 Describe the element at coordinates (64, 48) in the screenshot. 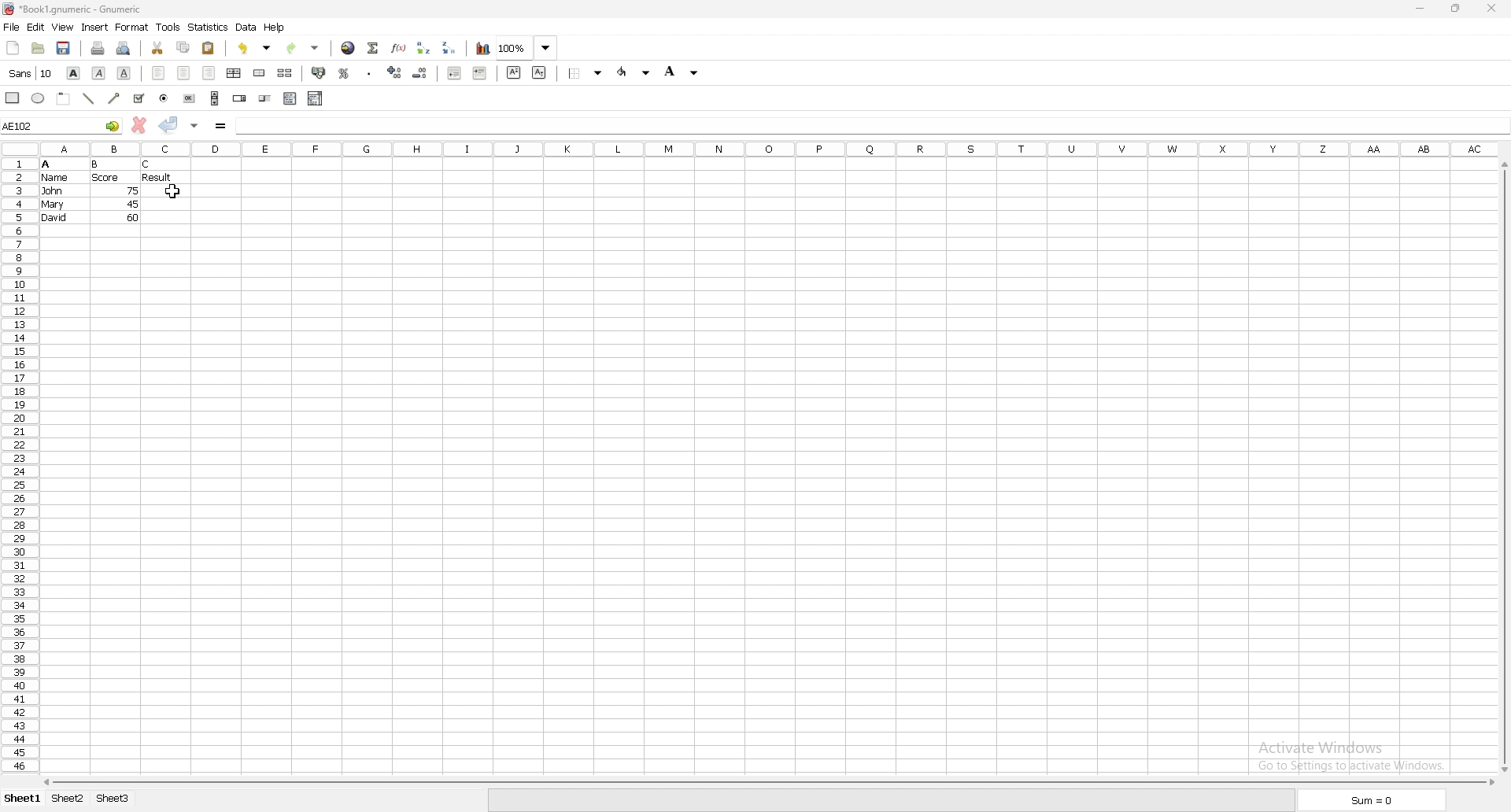

I see `save` at that location.